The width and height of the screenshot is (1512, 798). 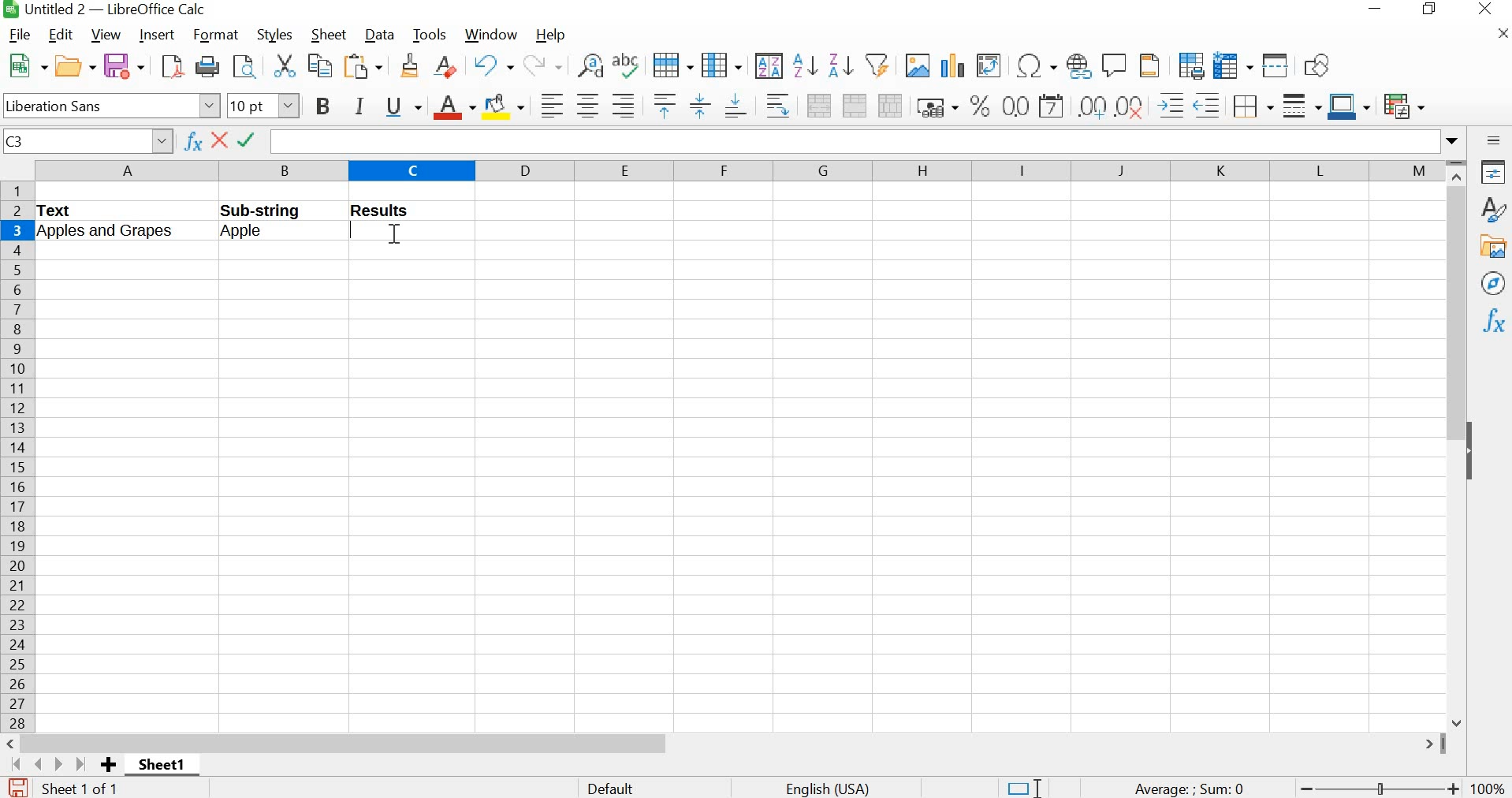 I want to click on formula, so click(x=1186, y=789).